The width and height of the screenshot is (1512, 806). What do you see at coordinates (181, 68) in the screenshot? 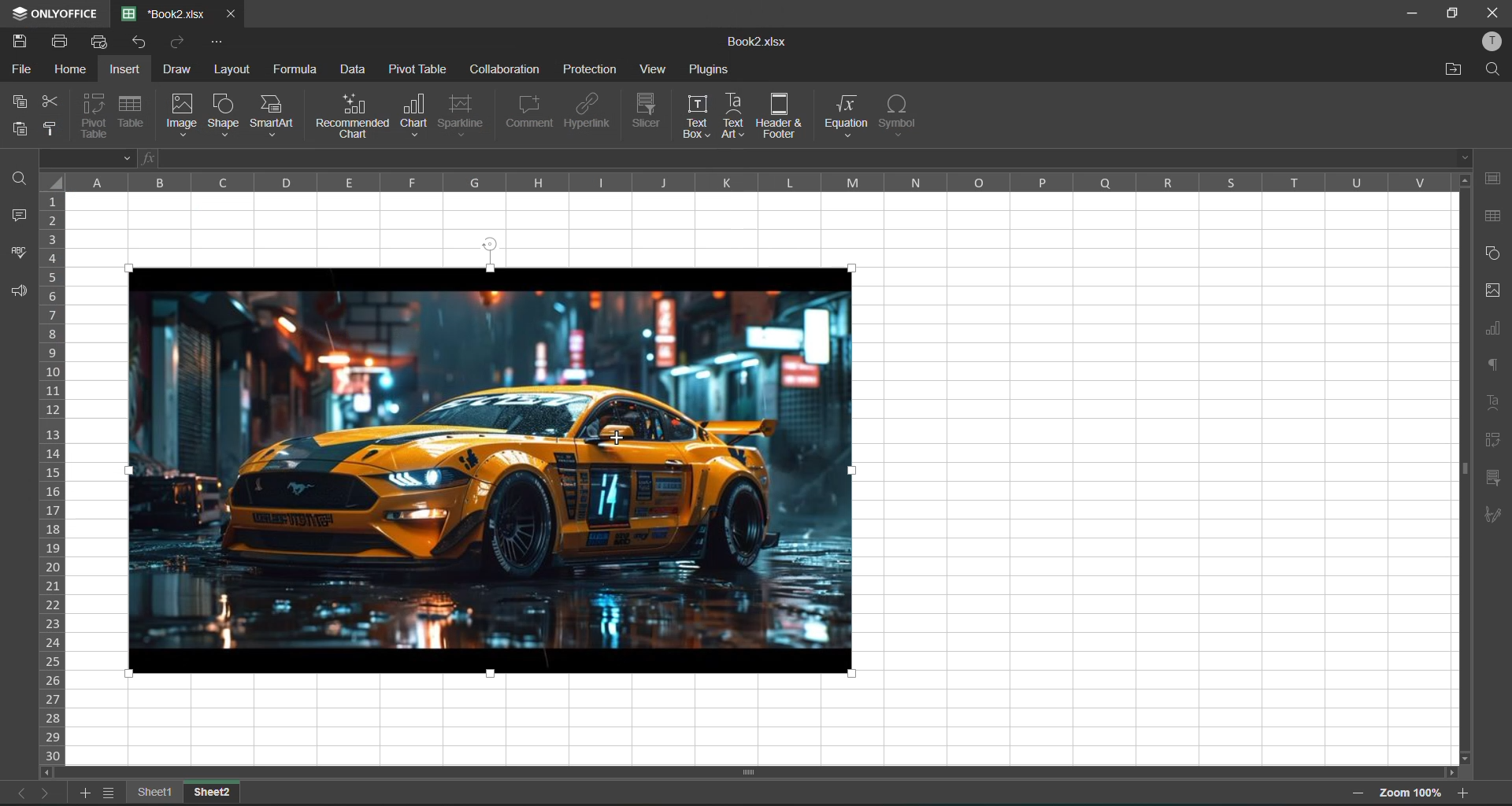
I see `draw` at bounding box center [181, 68].